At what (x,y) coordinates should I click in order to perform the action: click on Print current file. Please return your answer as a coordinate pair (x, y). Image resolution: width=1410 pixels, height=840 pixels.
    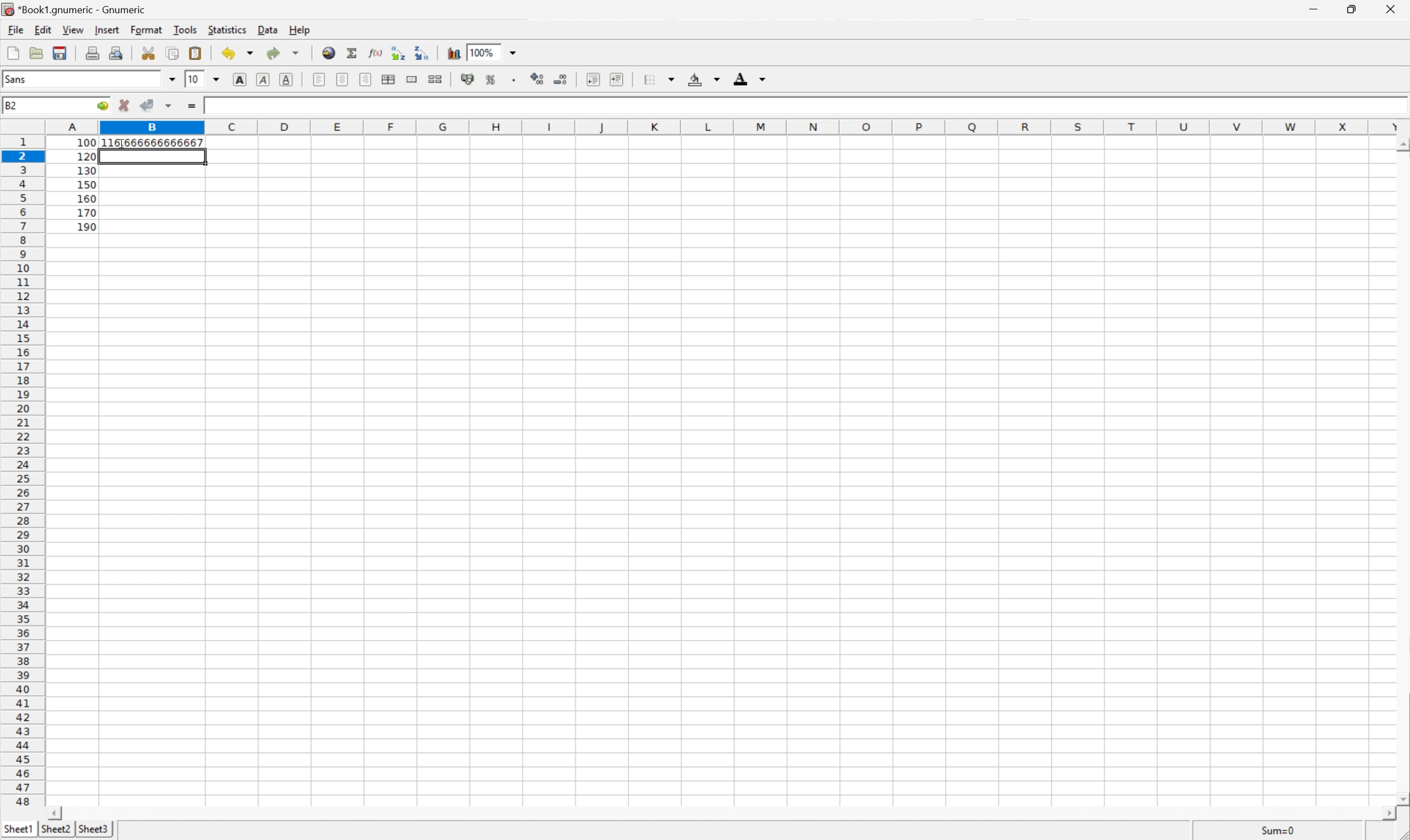
    Looking at the image, I should click on (93, 52).